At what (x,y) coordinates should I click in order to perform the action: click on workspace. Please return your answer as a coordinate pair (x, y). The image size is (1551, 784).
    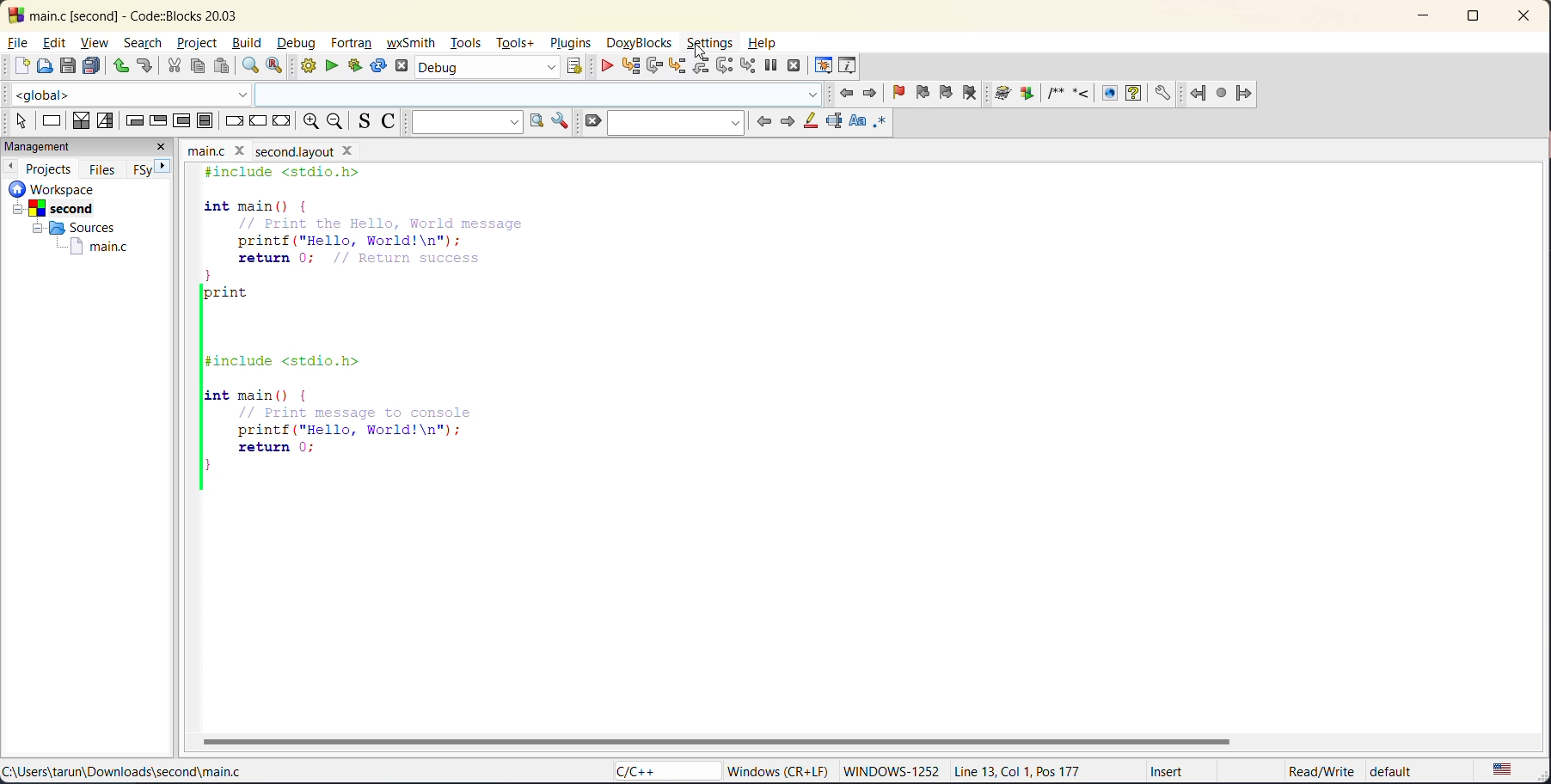
    Looking at the image, I should click on (76, 188).